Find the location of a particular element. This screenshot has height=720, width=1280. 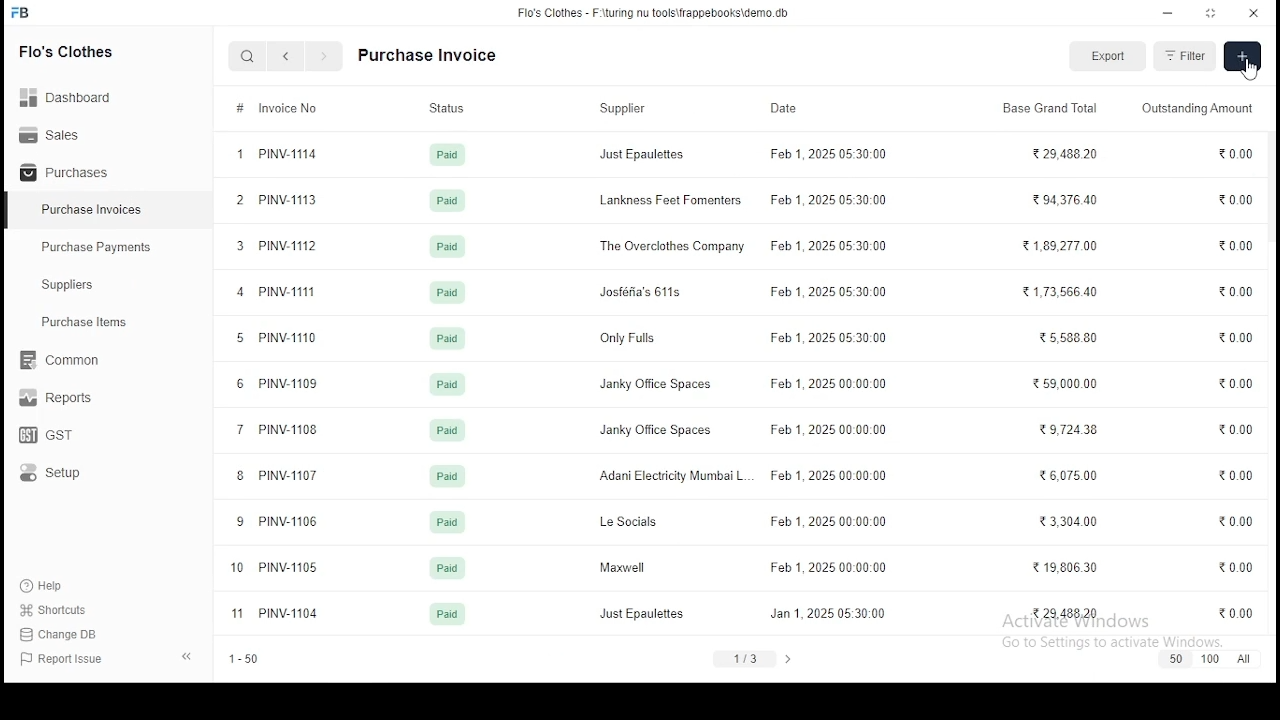

PINV-1107 is located at coordinates (291, 478).